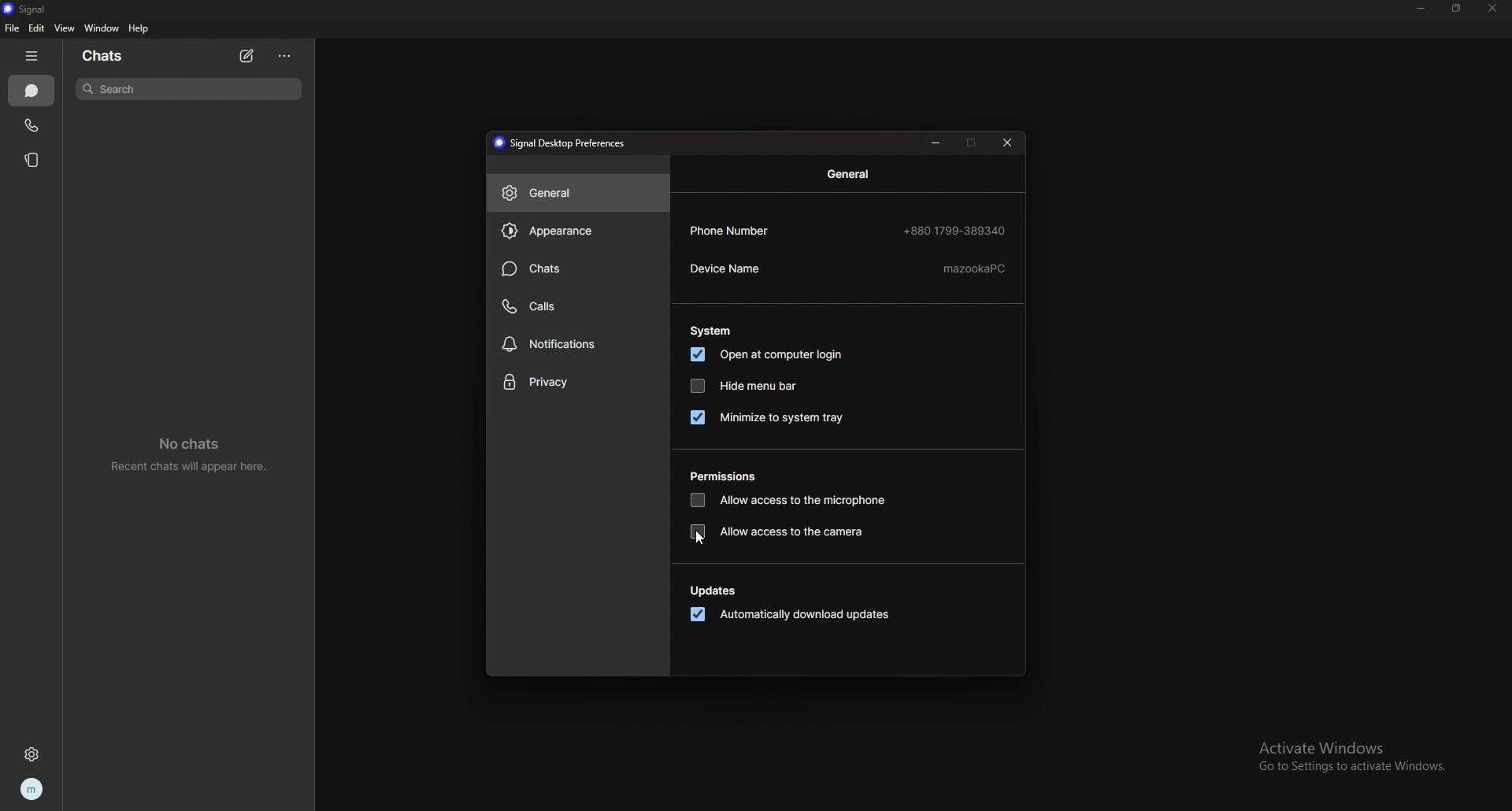 This screenshot has height=811, width=1512. What do you see at coordinates (577, 383) in the screenshot?
I see `privacy` at bounding box center [577, 383].